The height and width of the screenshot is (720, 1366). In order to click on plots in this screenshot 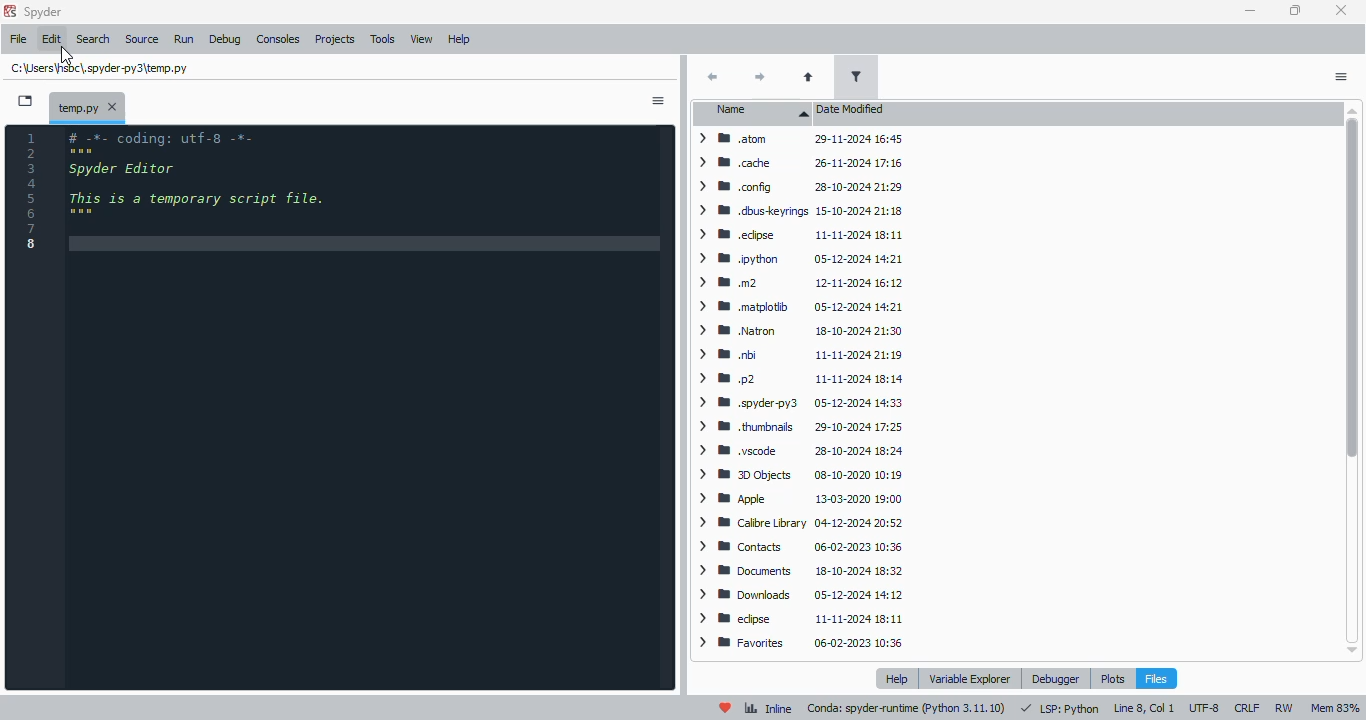, I will do `click(1112, 678)`.